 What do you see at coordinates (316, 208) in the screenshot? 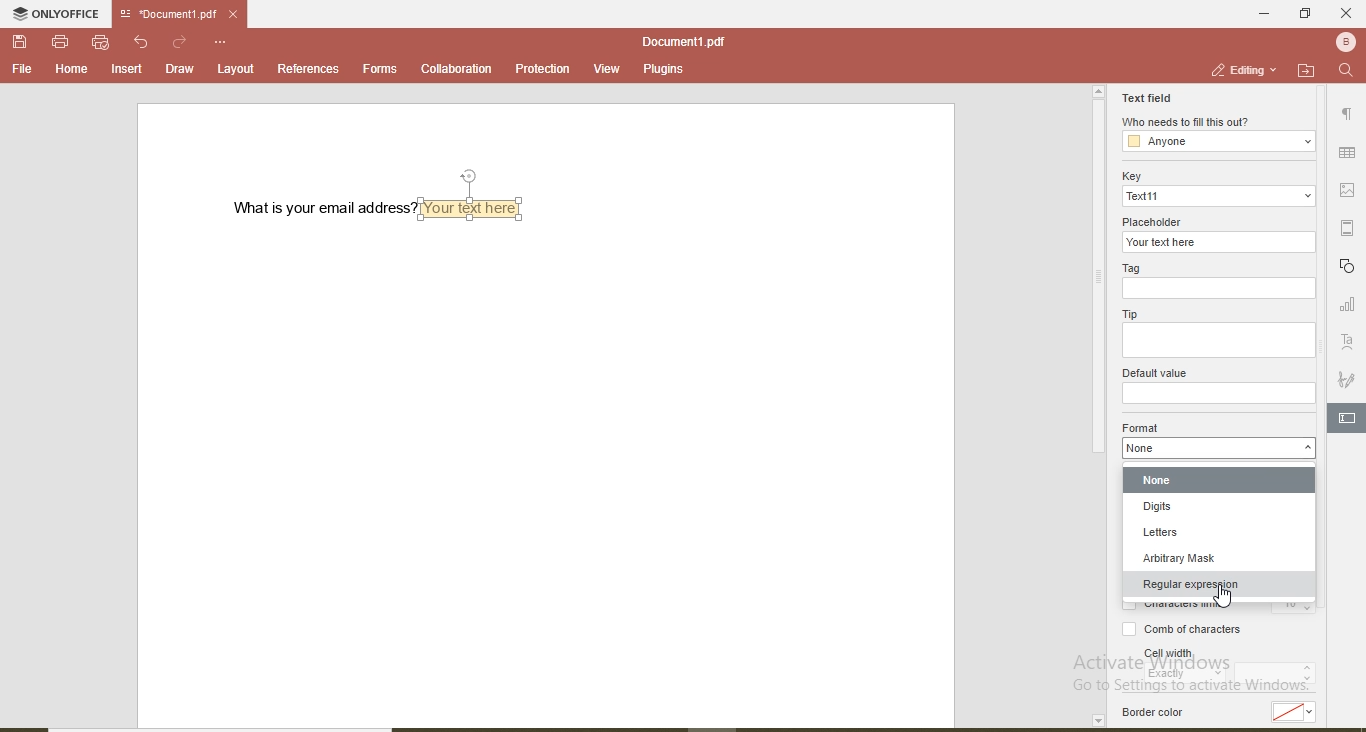
I see `what is your email address?` at bounding box center [316, 208].